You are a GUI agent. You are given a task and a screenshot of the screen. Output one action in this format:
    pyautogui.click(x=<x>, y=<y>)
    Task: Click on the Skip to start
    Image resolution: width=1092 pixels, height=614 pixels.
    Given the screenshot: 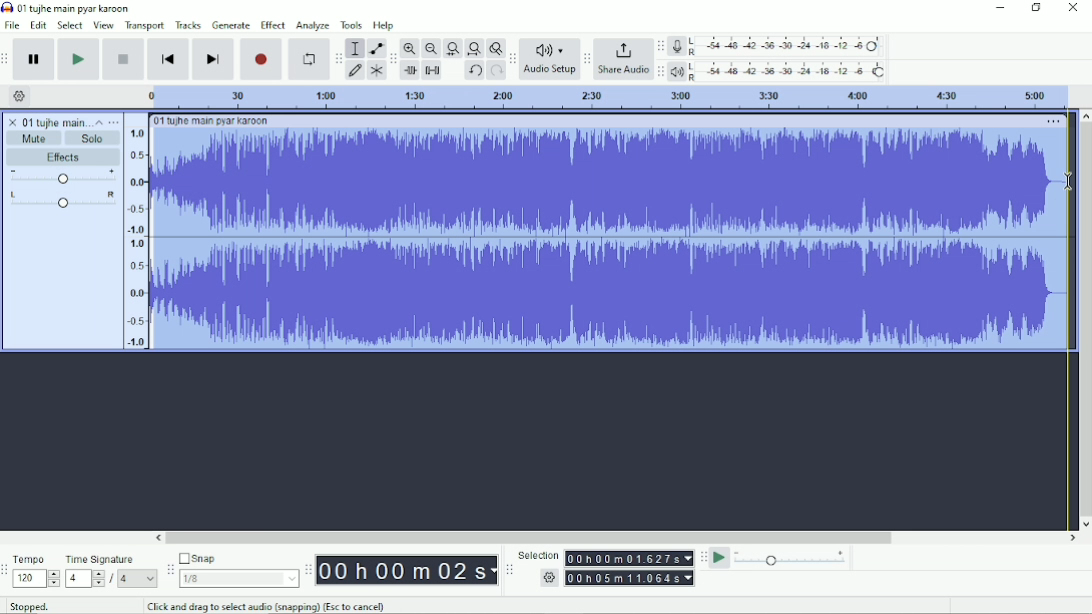 What is the action you would take?
    pyautogui.click(x=169, y=59)
    